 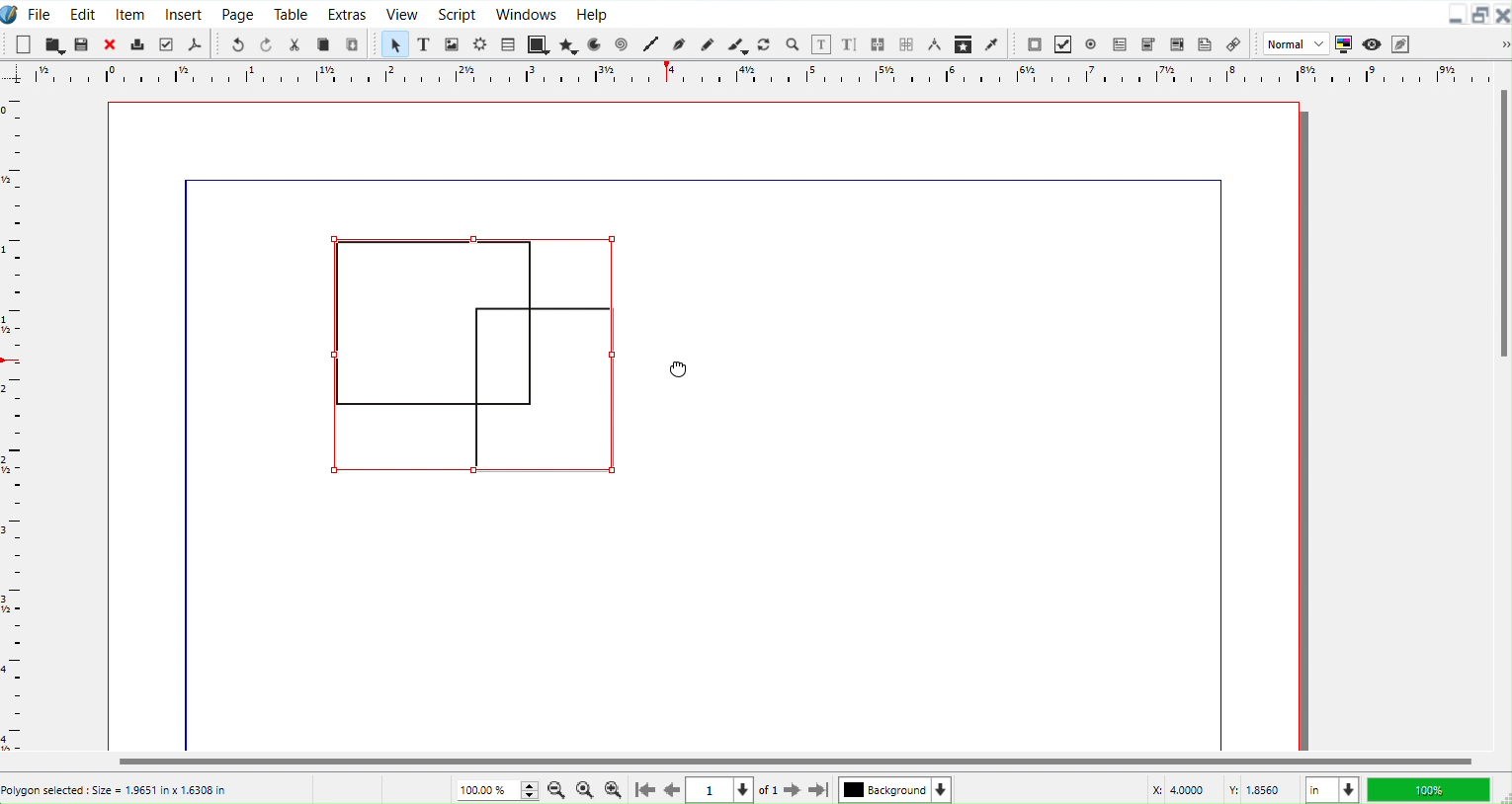 What do you see at coordinates (792, 44) in the screenshot?
I see `Zoom in or Out` at bounding box center [792, 44].